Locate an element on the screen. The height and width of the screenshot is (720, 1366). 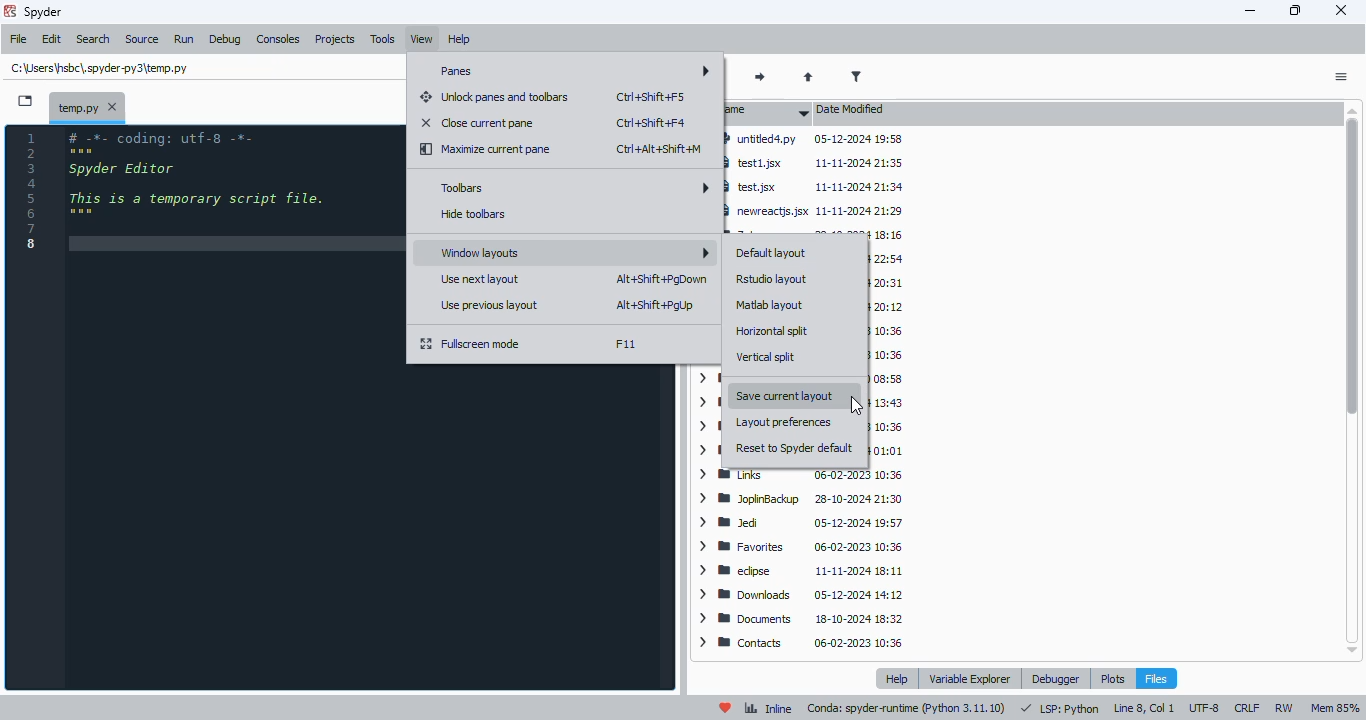
CRLF is located at coordinates (1246, 707).